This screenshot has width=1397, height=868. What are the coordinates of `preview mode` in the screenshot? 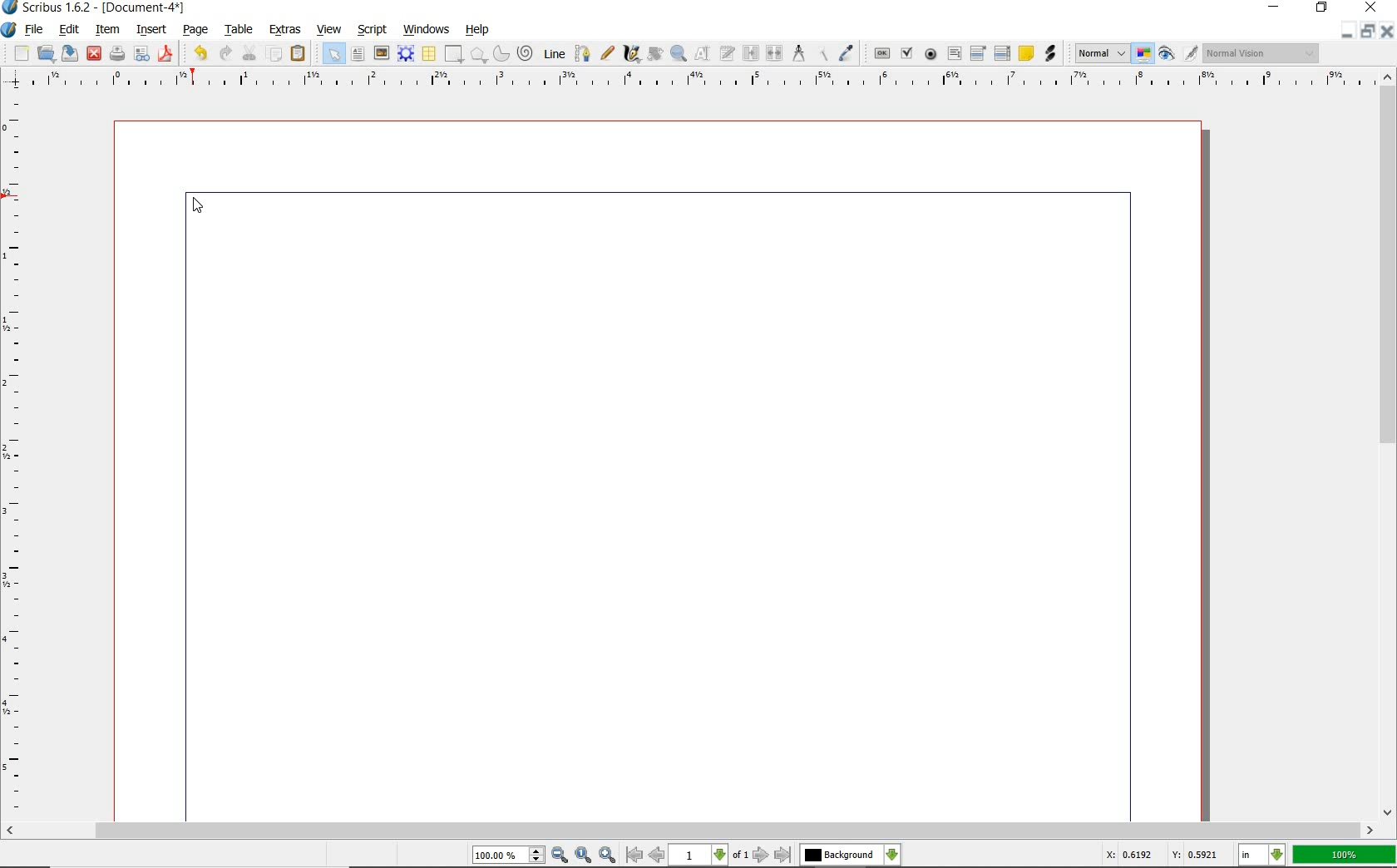 It's located at (1178, 55).